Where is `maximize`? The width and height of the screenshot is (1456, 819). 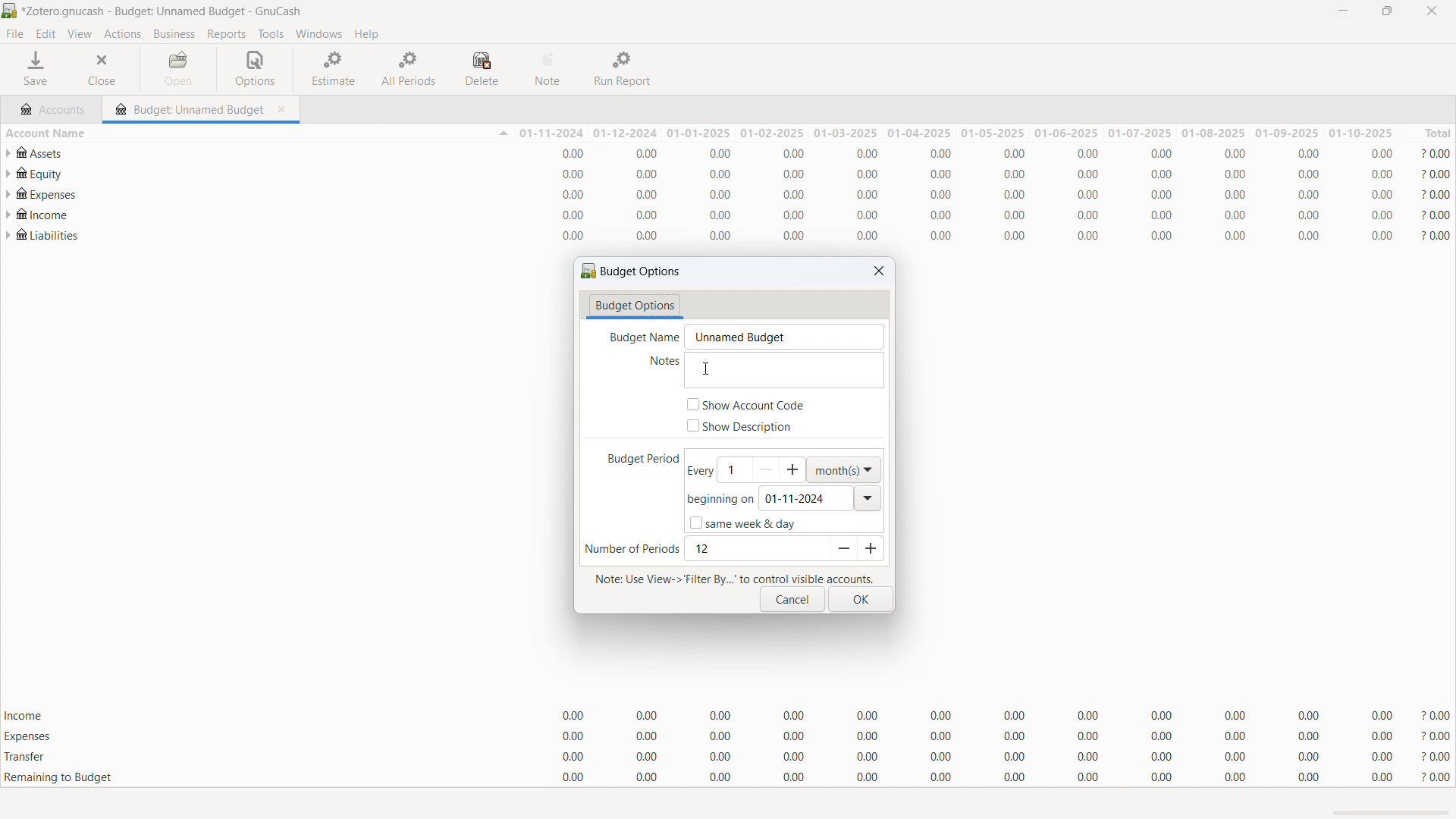
maximize is located at coordinates (1386, 11).